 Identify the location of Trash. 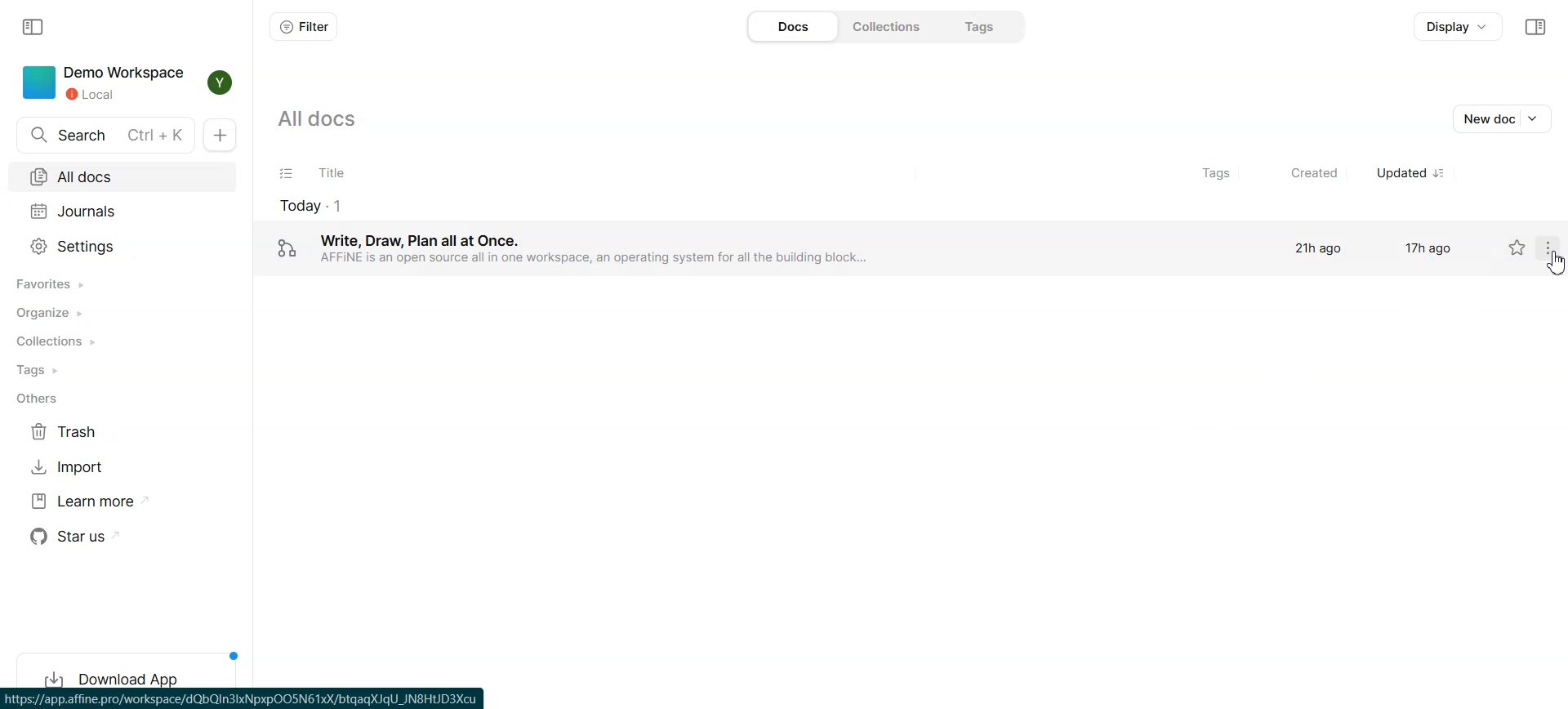
(125, 432).